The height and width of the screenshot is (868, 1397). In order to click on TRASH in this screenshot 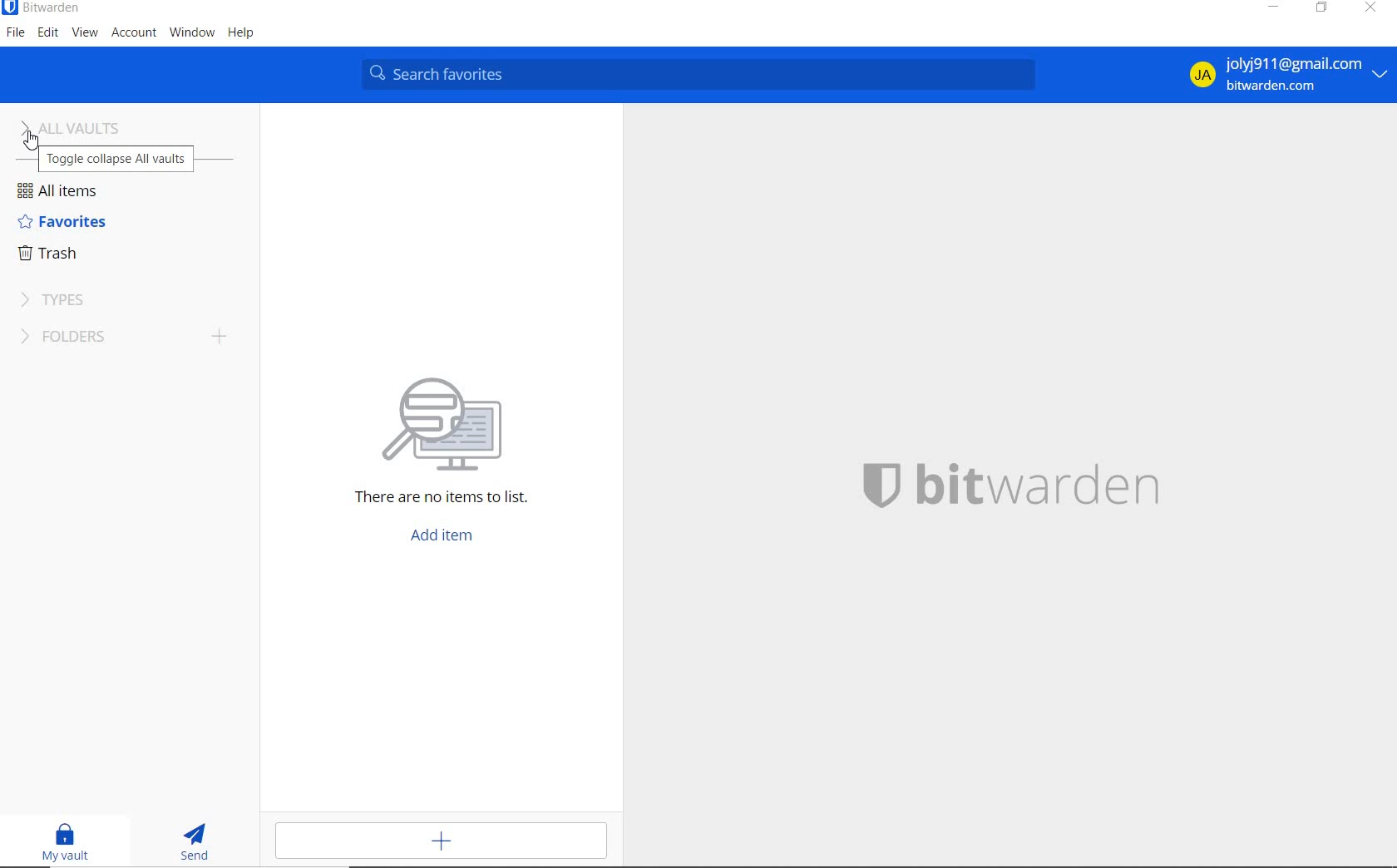, I will do `click(57, 253)`.